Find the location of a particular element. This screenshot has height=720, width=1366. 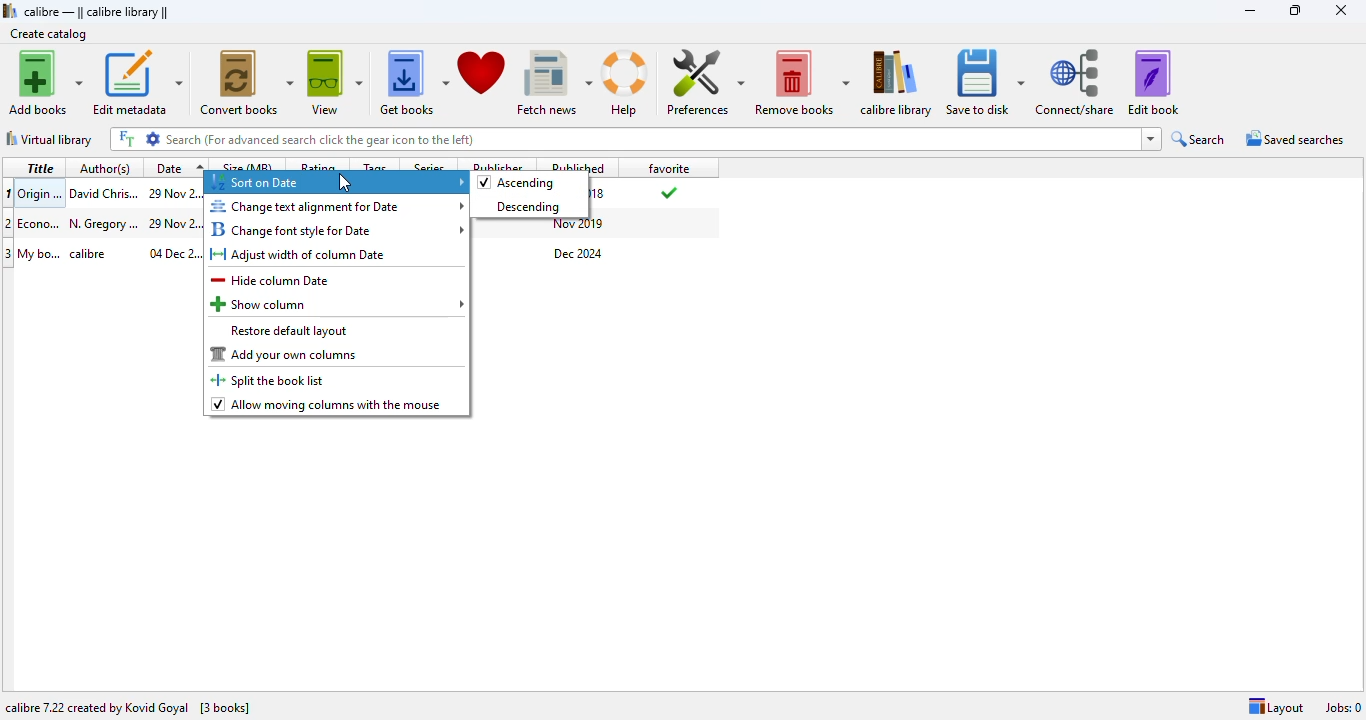

series is located at coordinates (431, 165).